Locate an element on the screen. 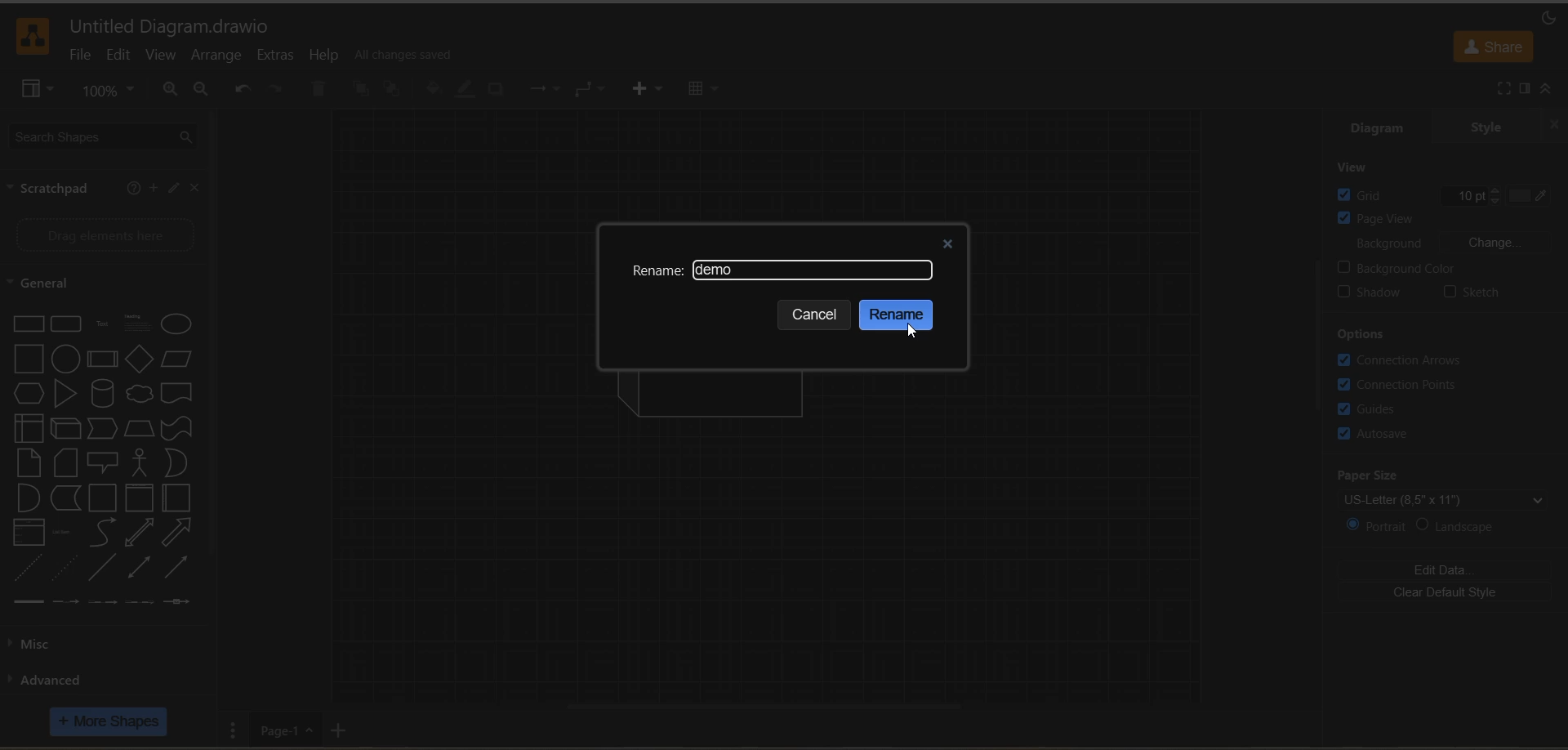 This screenshot has height=750, width=1568. pages is located at coordinates (238, 730).